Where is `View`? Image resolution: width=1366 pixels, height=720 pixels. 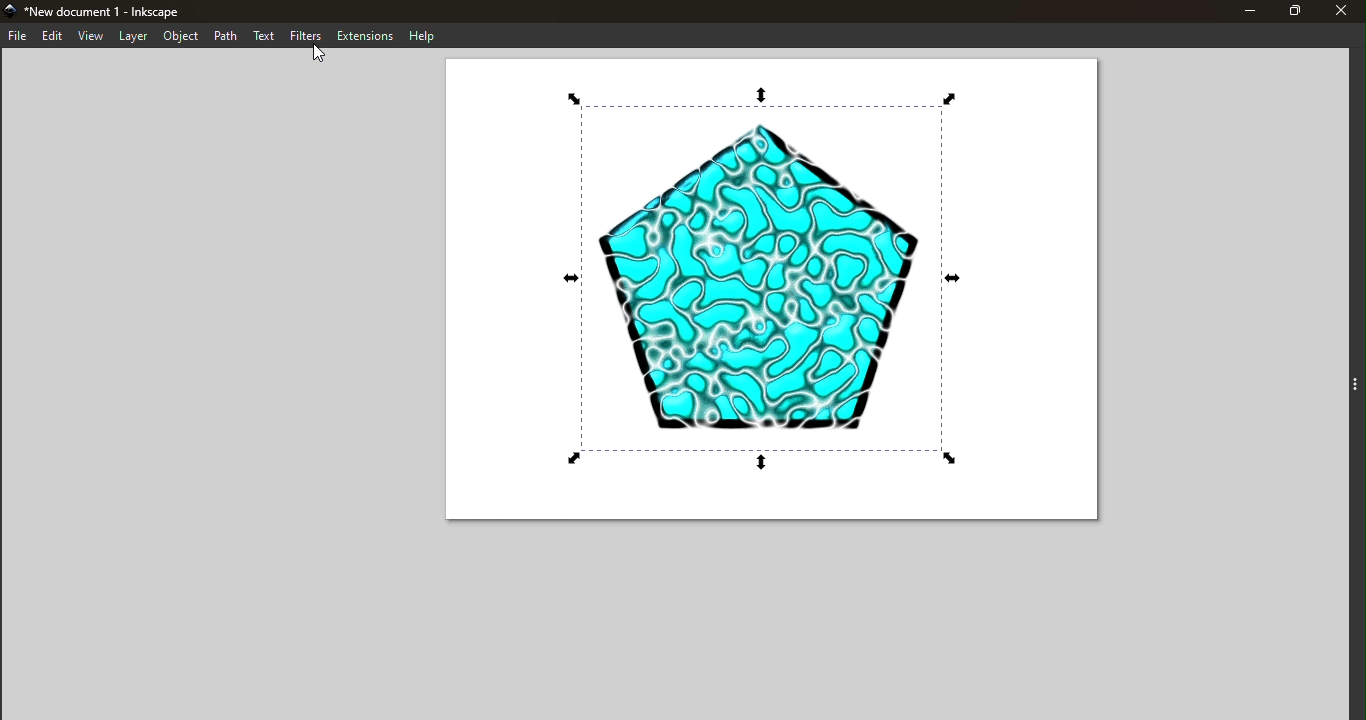
View is located at coordinates (91, 37).